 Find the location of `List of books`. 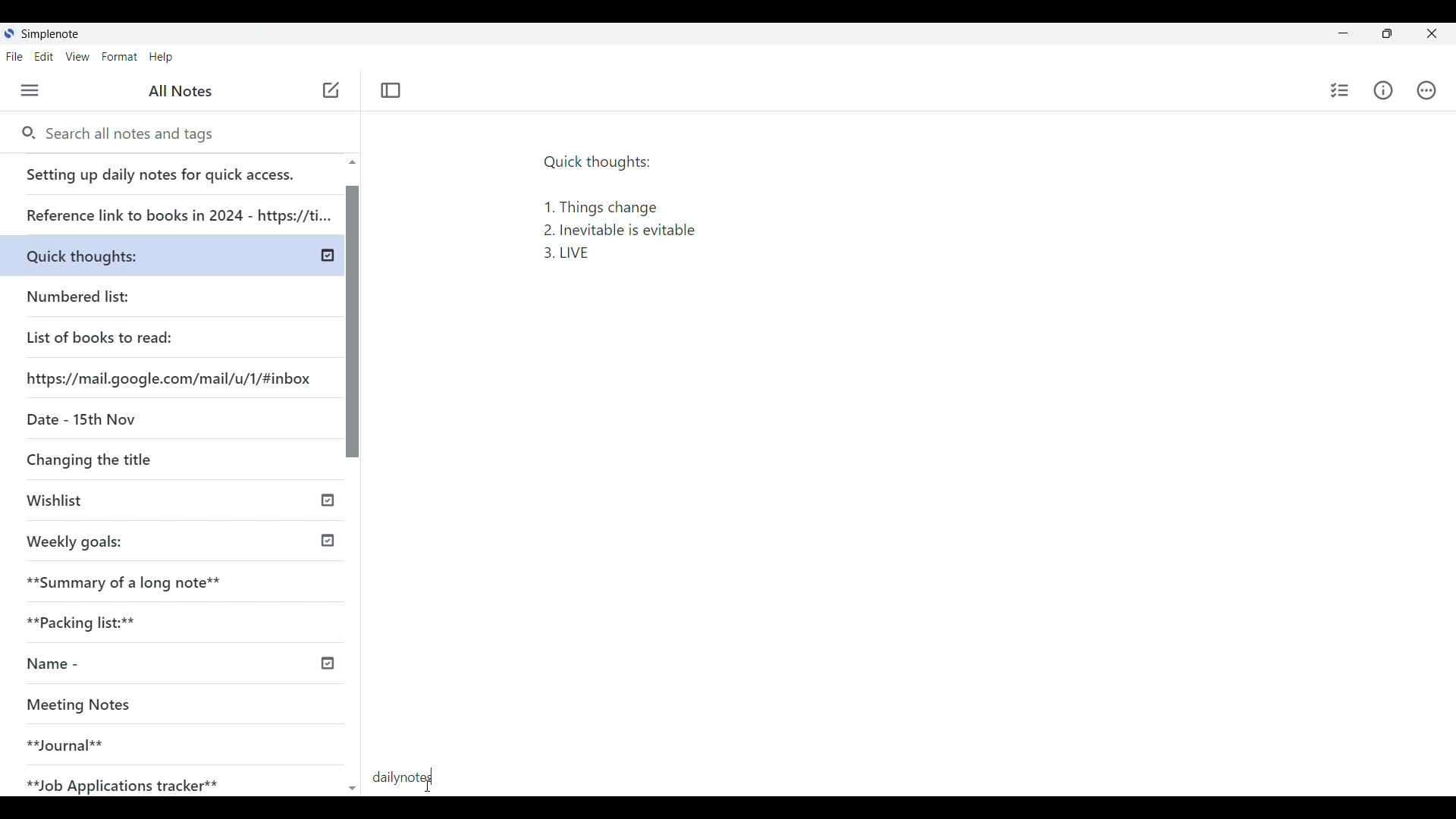

List of books is located at coordinates (101, 335).